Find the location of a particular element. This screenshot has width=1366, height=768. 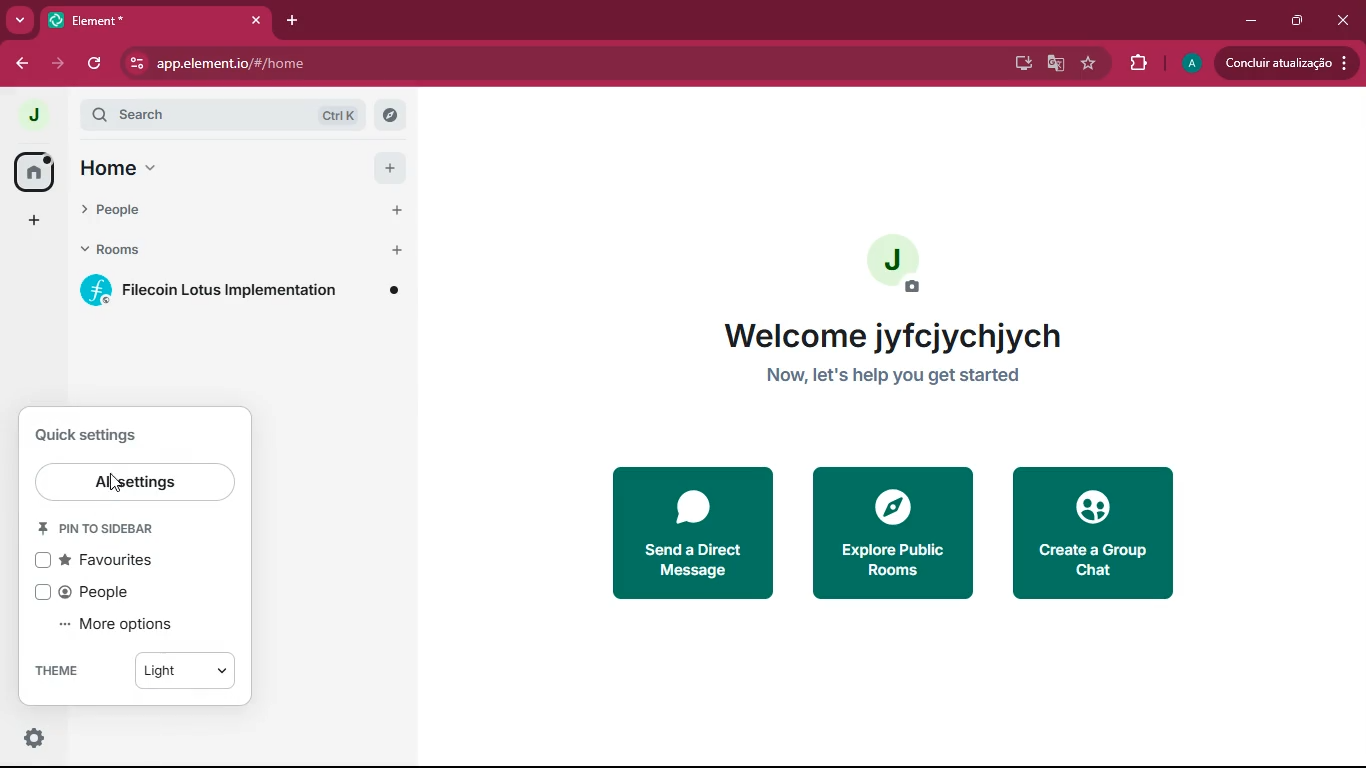

home is located at coordinates (175, 167).